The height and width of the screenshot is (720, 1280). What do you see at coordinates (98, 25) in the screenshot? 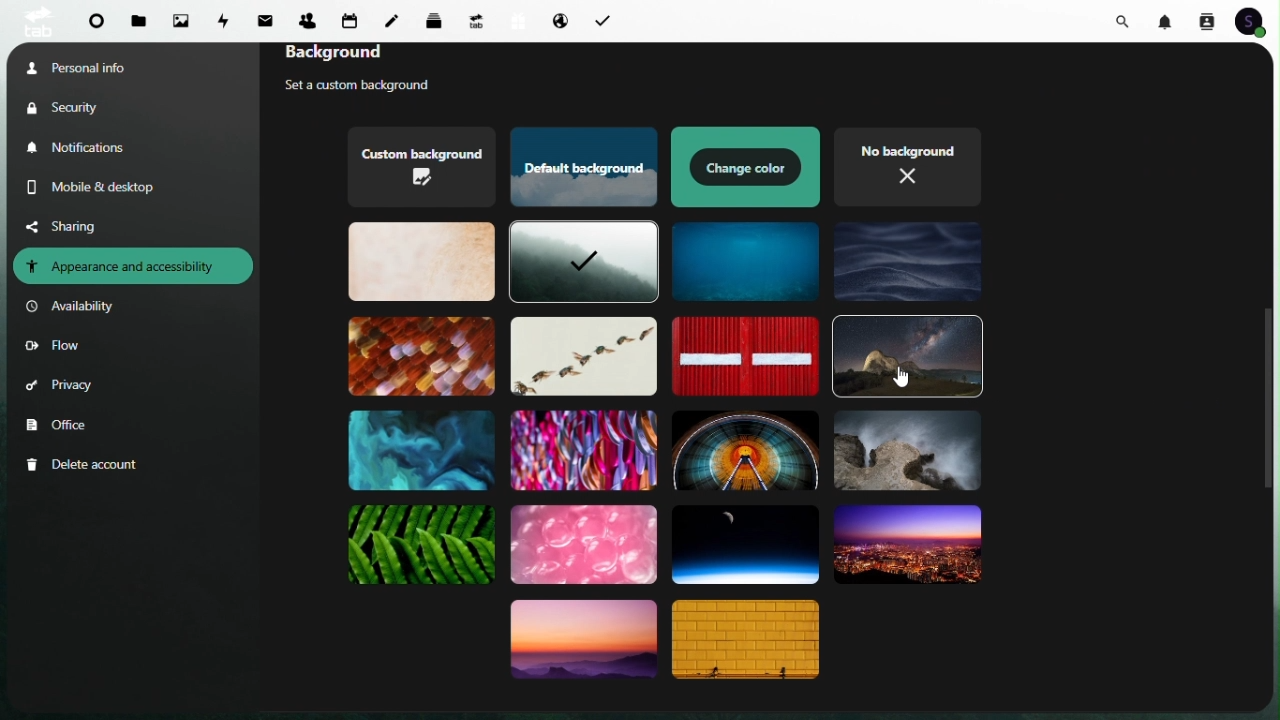
I see `dashboard` at bounding box center [98, 25].